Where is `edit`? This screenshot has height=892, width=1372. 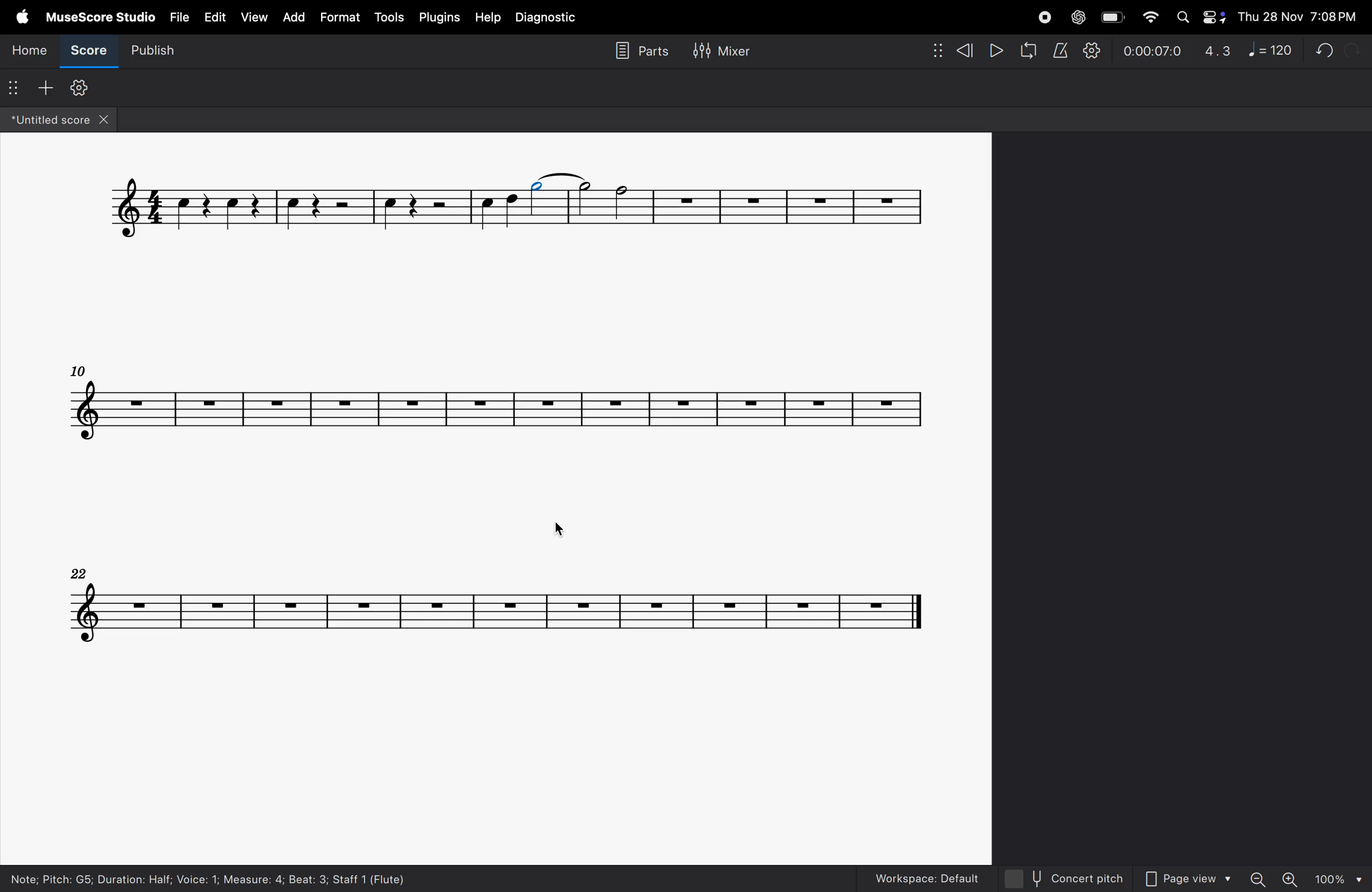 edit is located at coordinates (213, 18).